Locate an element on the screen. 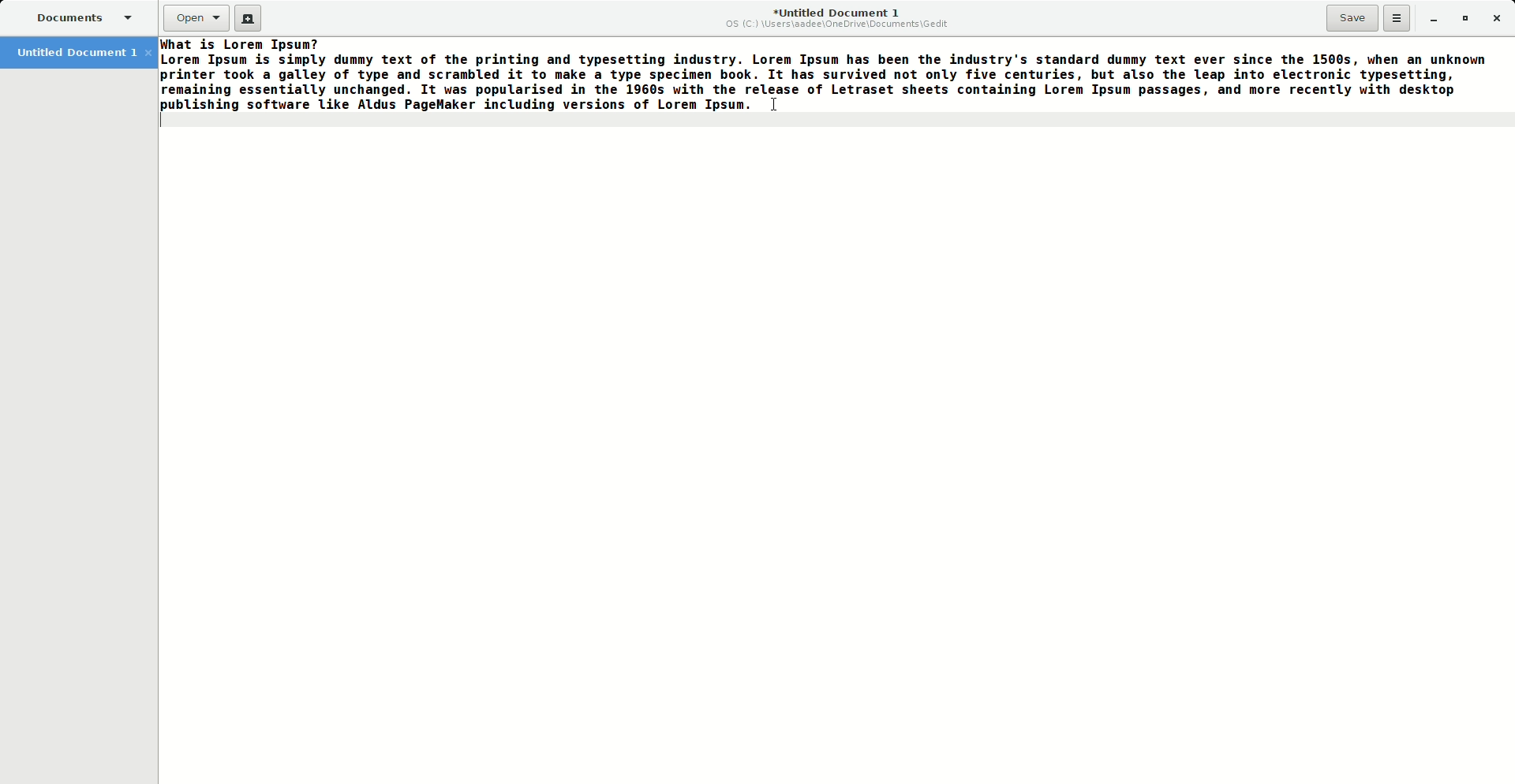 The width and height of the screenshot is (1515, 784). Open is located at coordinates (196, 18).